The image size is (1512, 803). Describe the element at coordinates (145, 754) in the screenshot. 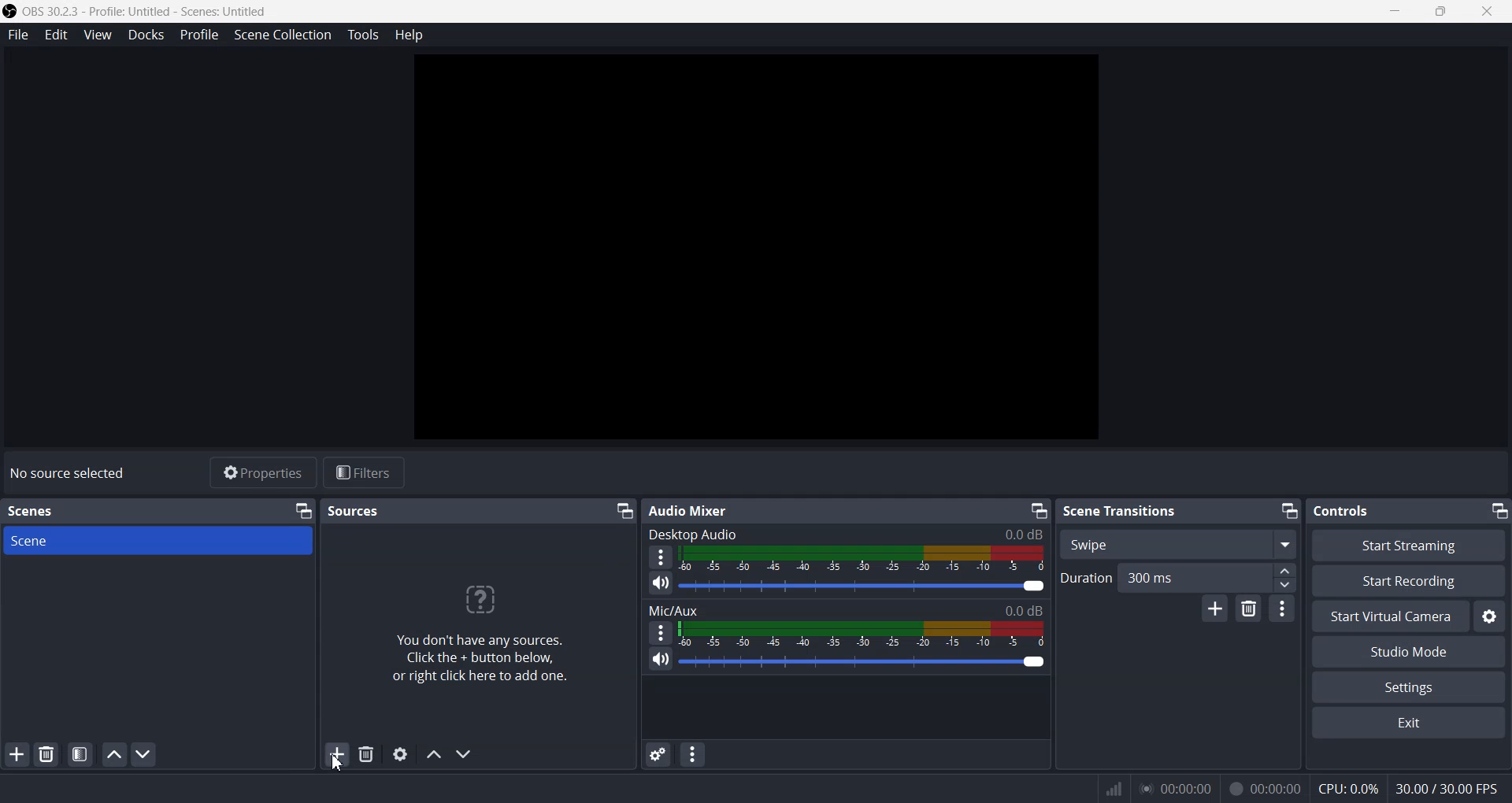

I see `Move Scene Down` at that location.